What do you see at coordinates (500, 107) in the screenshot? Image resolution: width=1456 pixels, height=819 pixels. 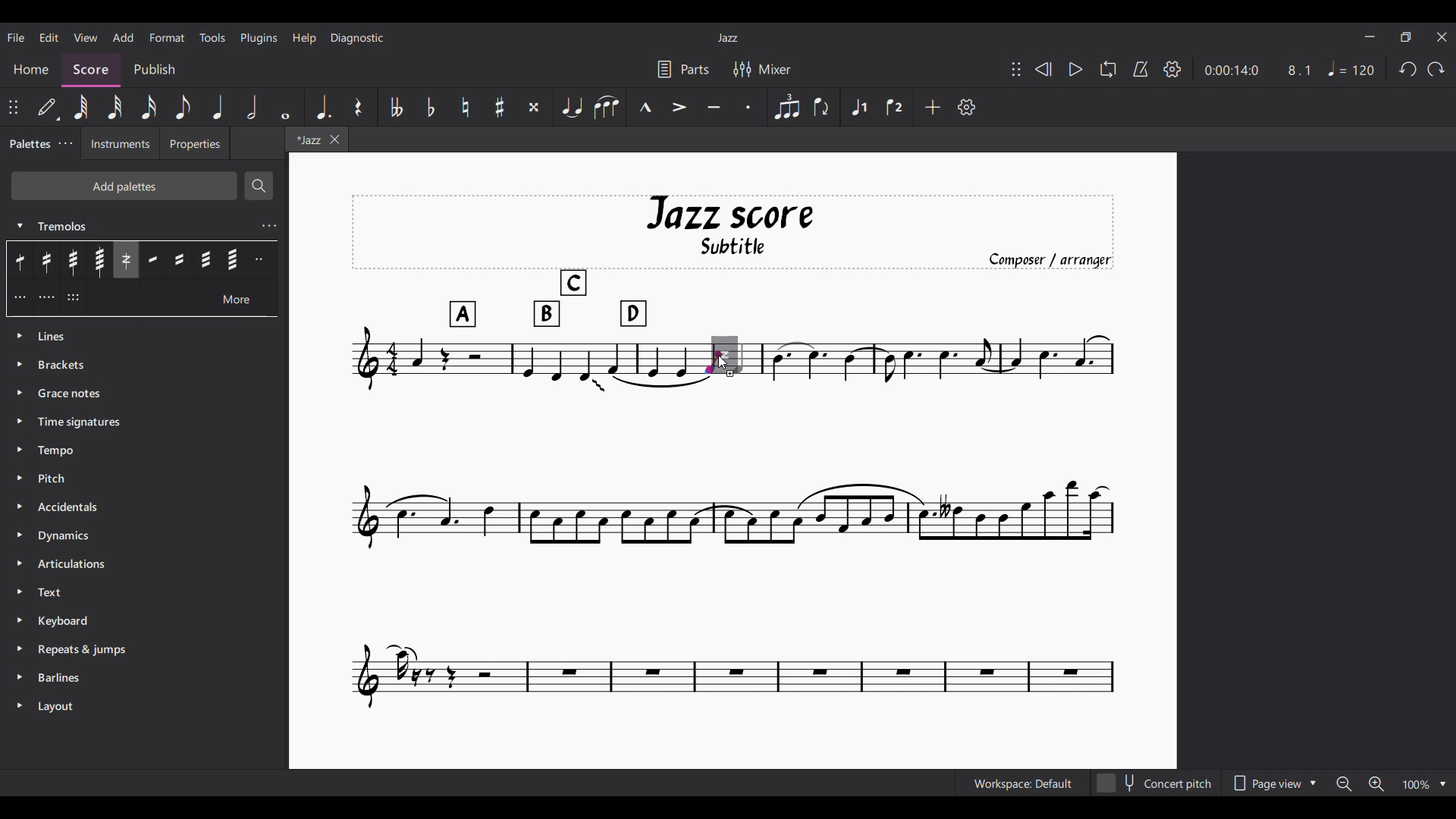 I see `Toggle sharp` at bounding box center [500, 107].